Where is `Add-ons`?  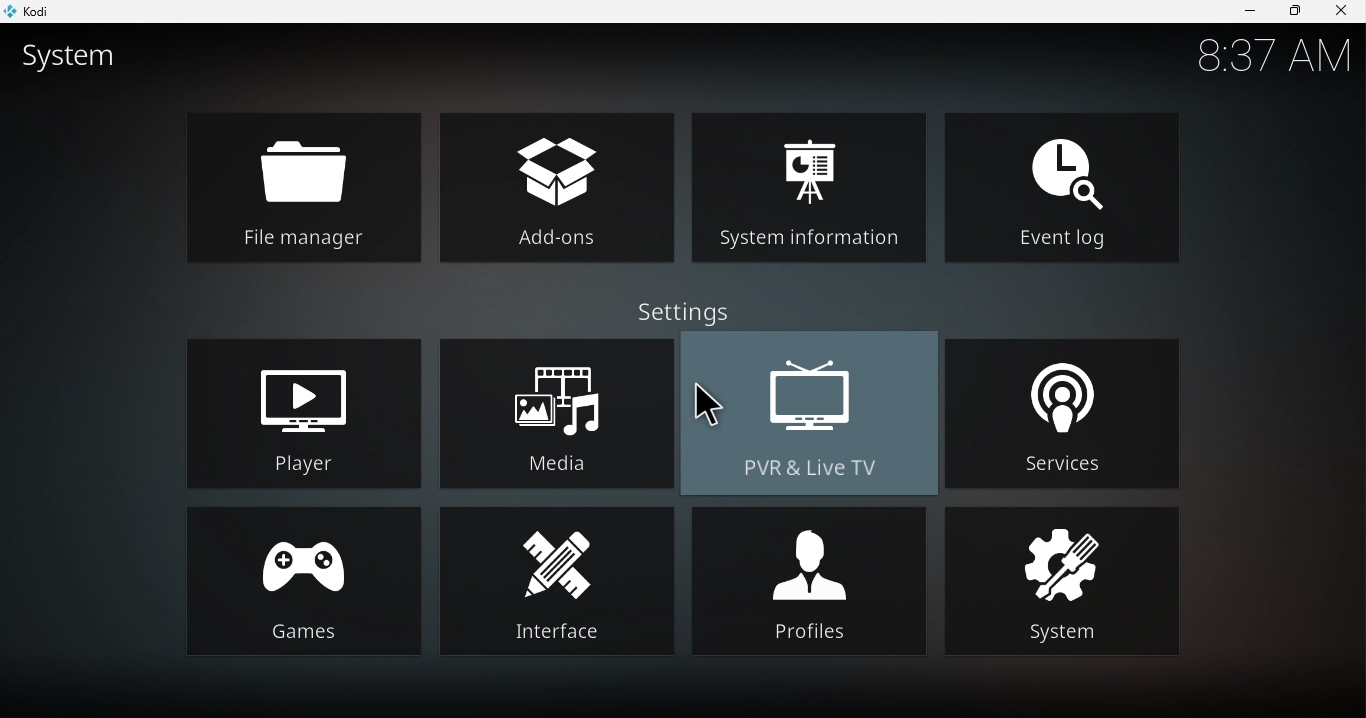
Add-ons is located at coordinates (553, 186).